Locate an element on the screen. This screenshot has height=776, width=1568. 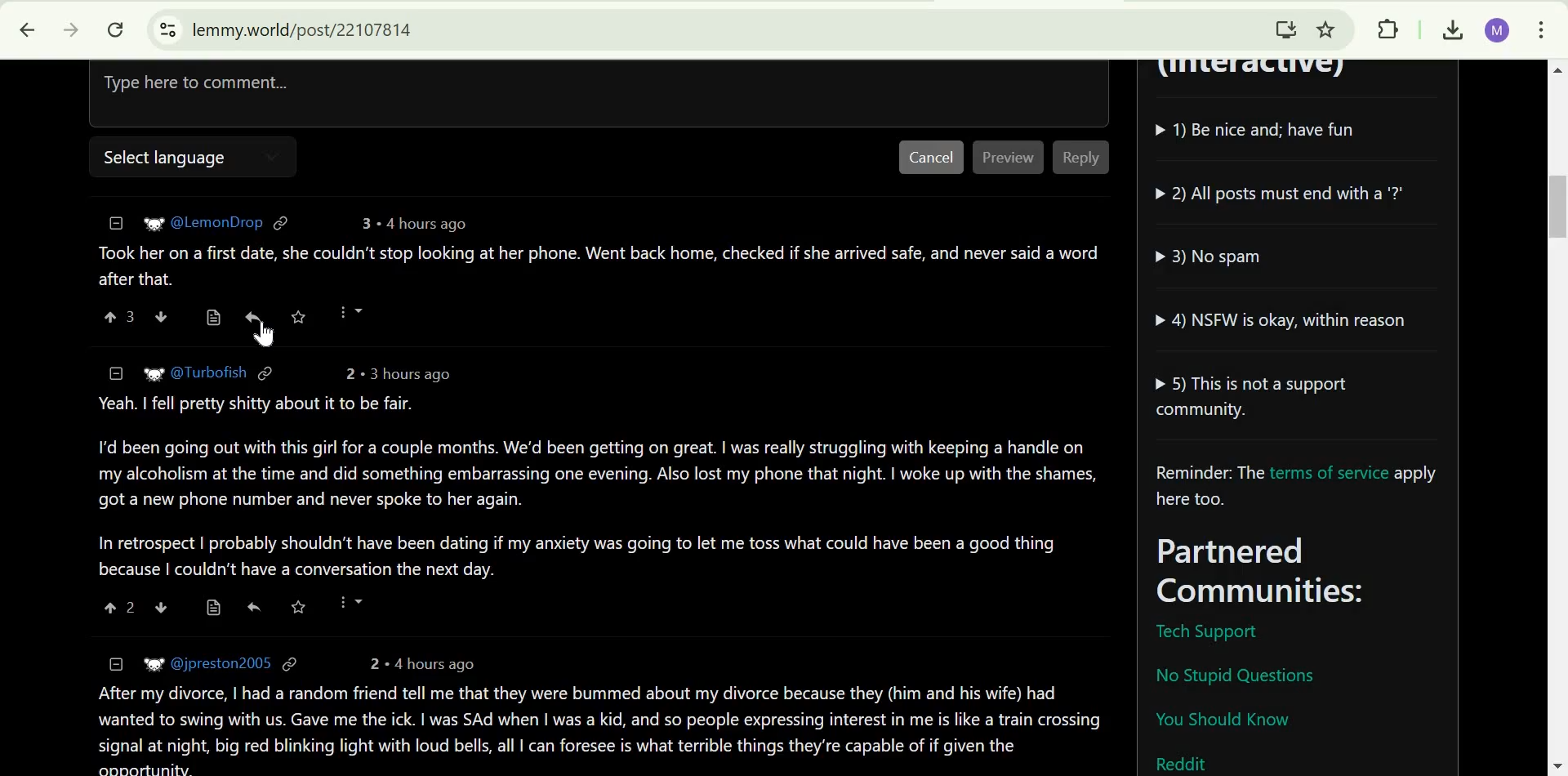
Parterned Communities is located at coordinates (1304, 572).